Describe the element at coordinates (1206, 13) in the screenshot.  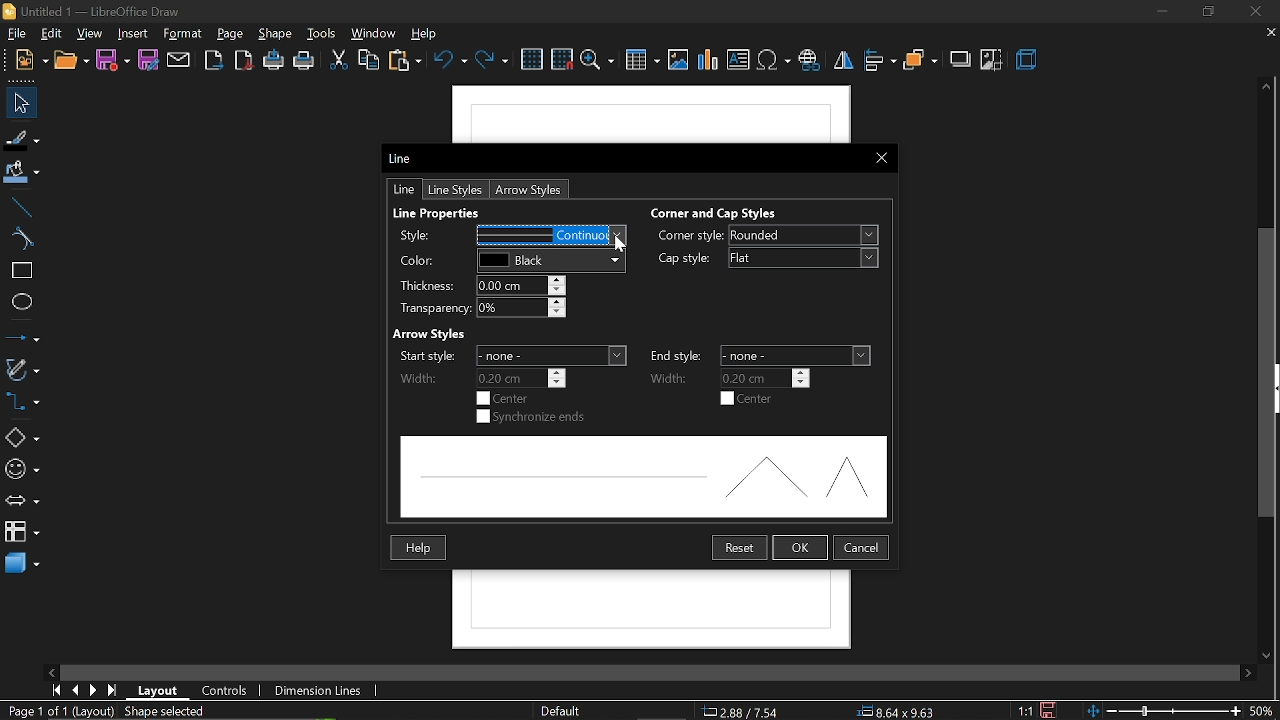
I see `restore down` at that location.